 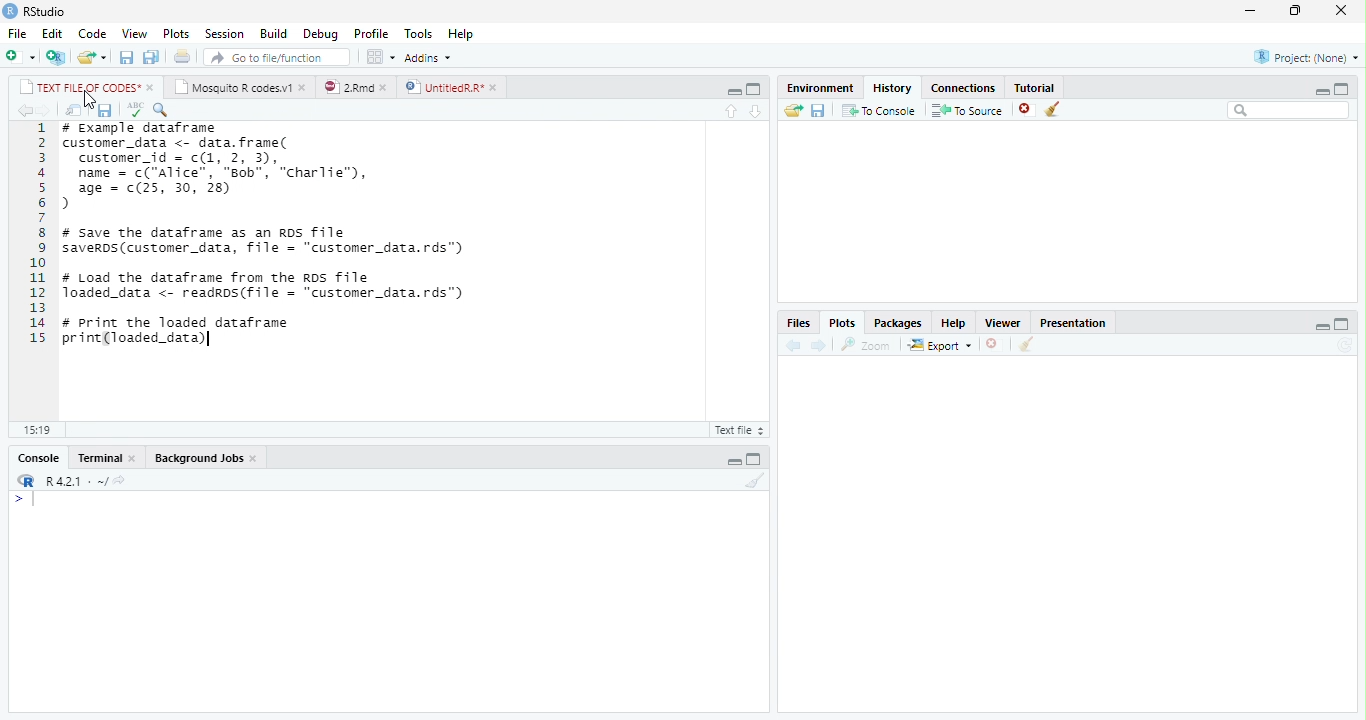 What do you see at coordinates (274, 34) in the screenshot?
I see `Build` at bounding box center [274, 34].